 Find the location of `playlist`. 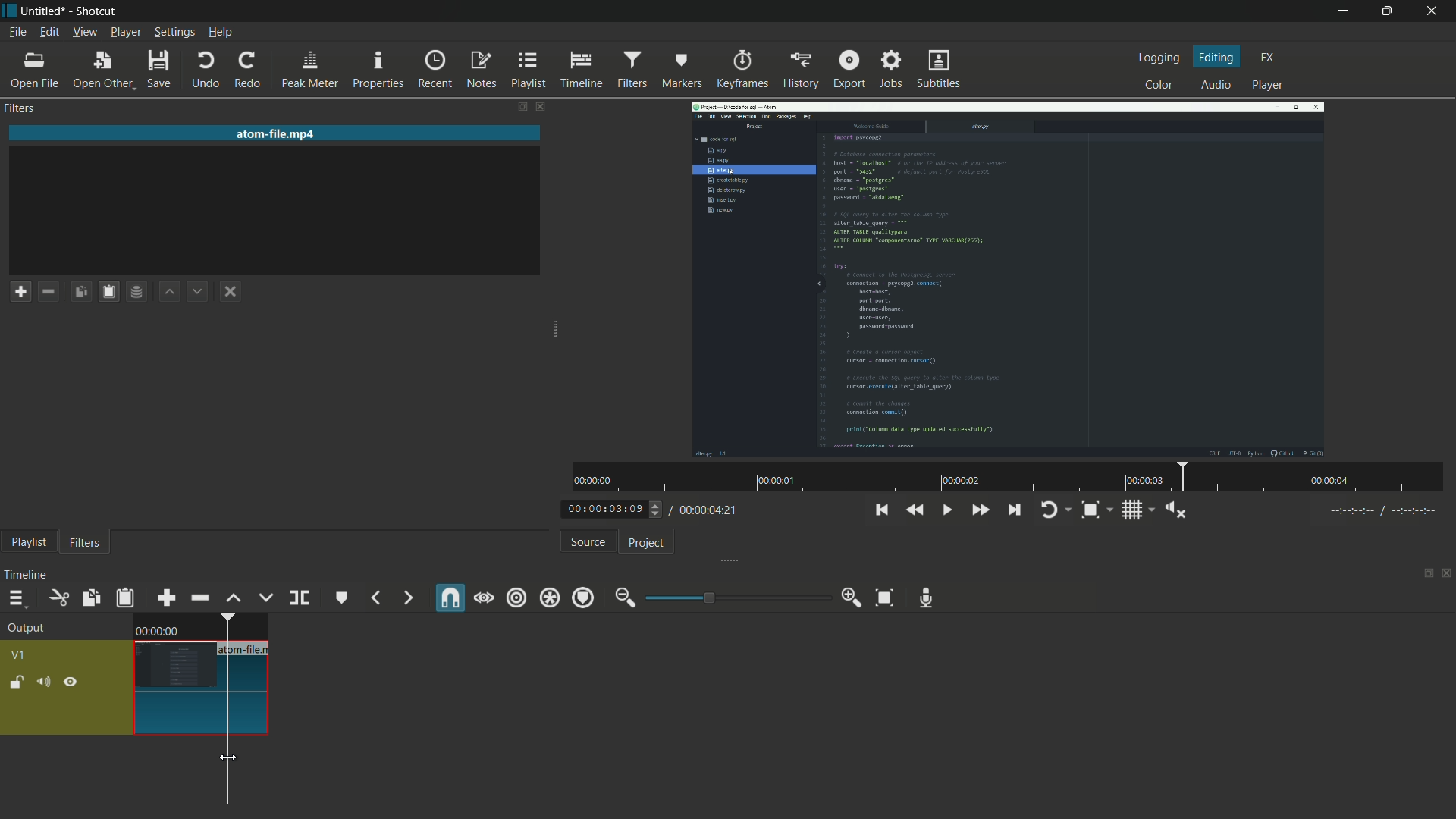

playlist is located at coordinates (30, 543).